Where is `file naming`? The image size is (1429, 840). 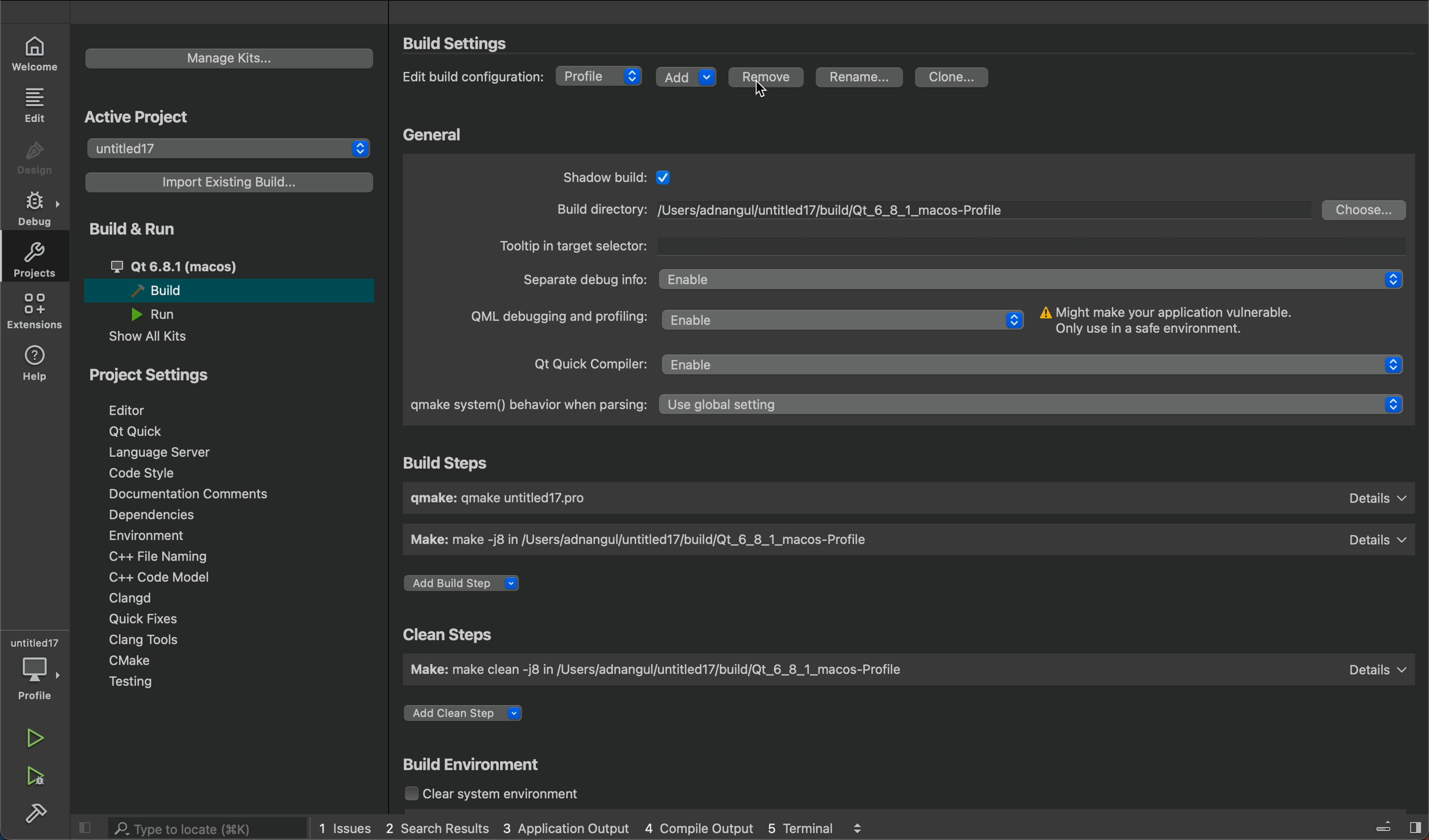
file naming is located at coordinates (162, 554).